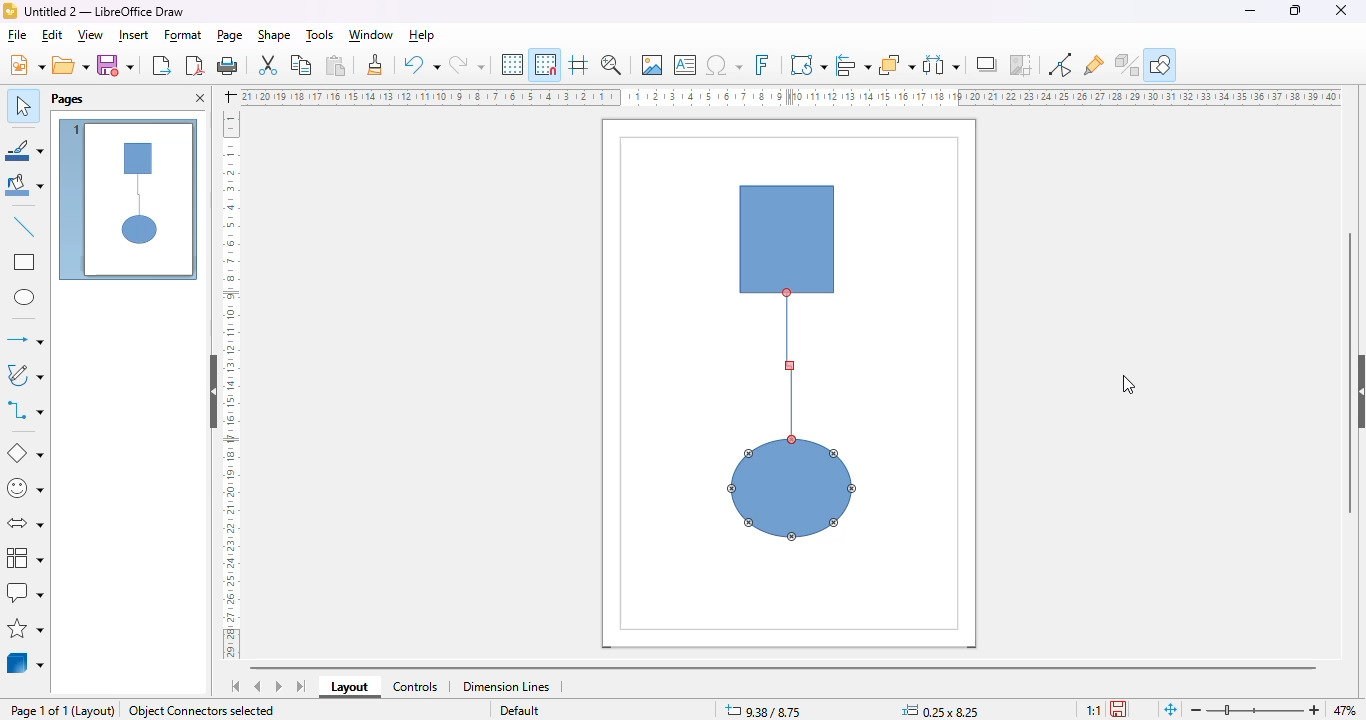 The height and width of the screenshot is (720, 1366). Describe the element at coordinates (24, 150) in the screenshot. I see `line color` at that location.